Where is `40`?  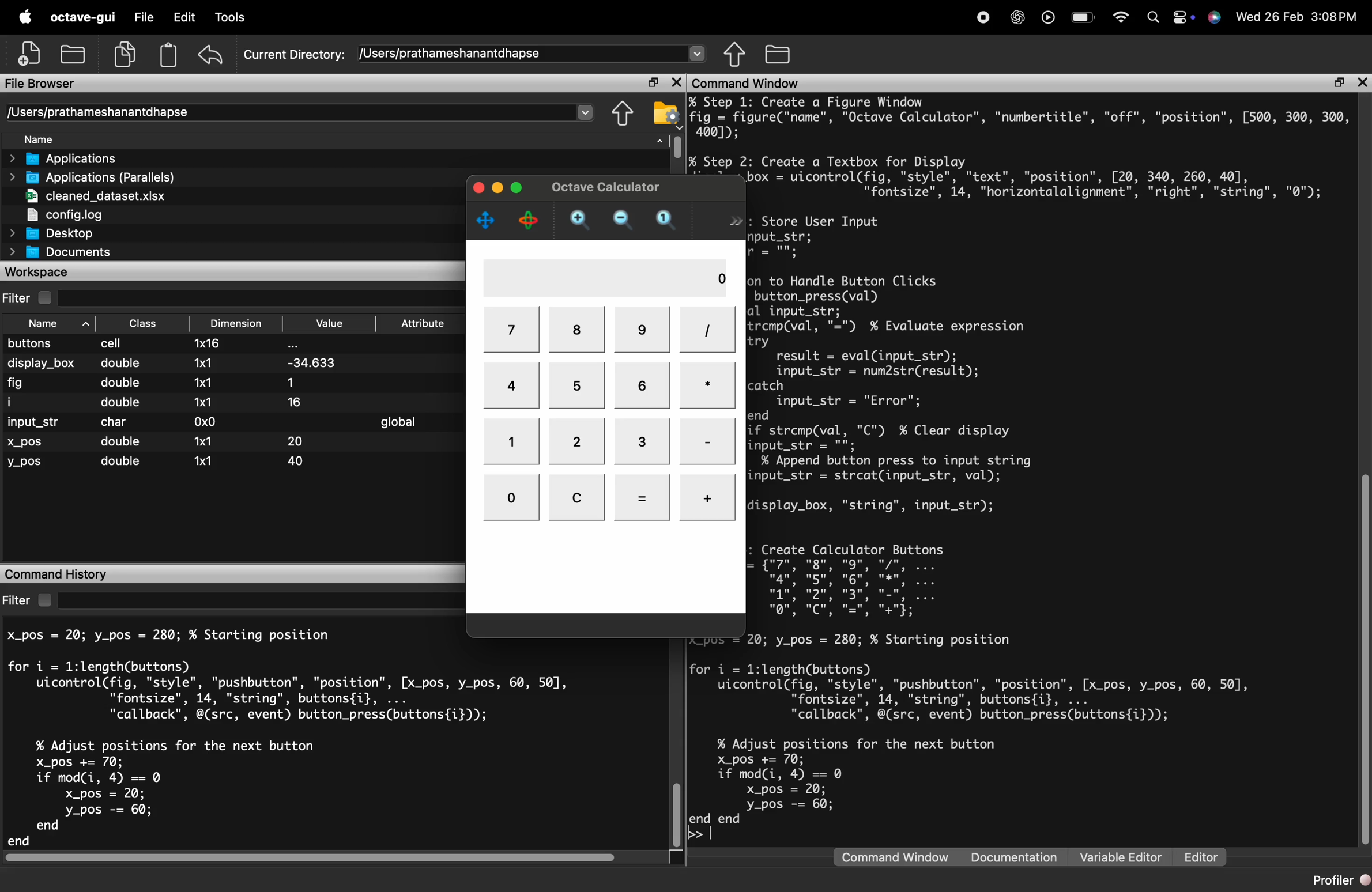
40 is located at coordinates (297, 462).